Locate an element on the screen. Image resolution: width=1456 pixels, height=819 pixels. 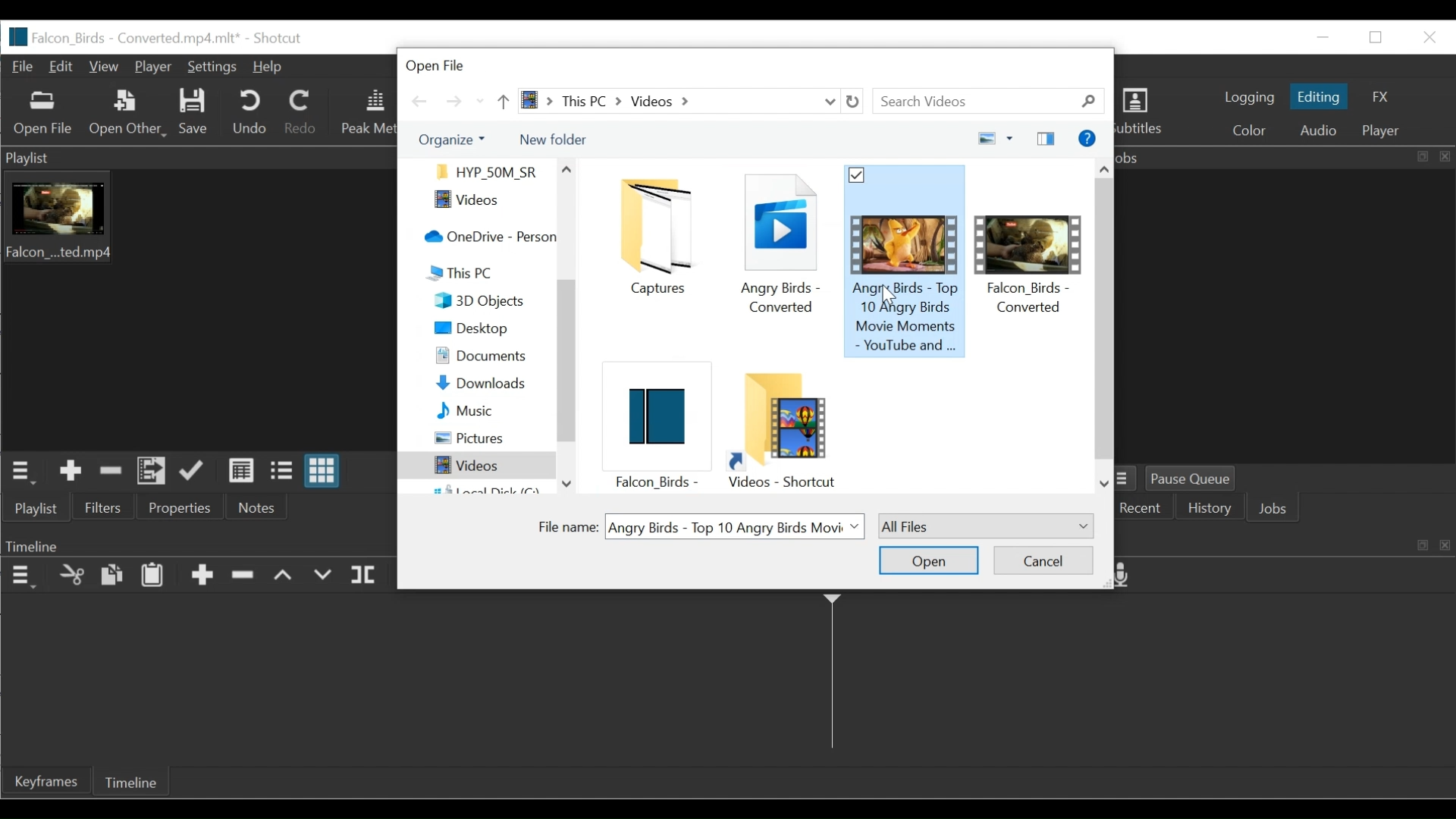
Open Other is located at coordinates (125, 112).